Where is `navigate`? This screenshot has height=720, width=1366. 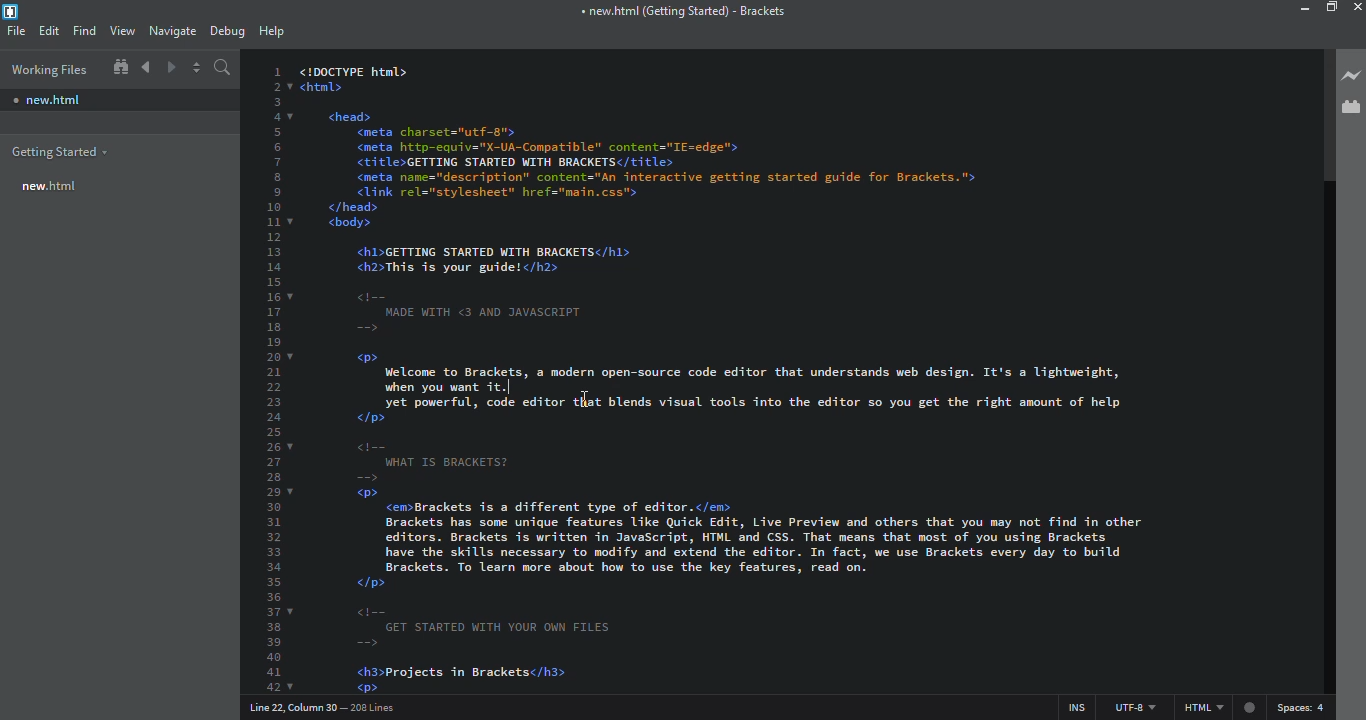
navigate is located at coordinates (173, 31).